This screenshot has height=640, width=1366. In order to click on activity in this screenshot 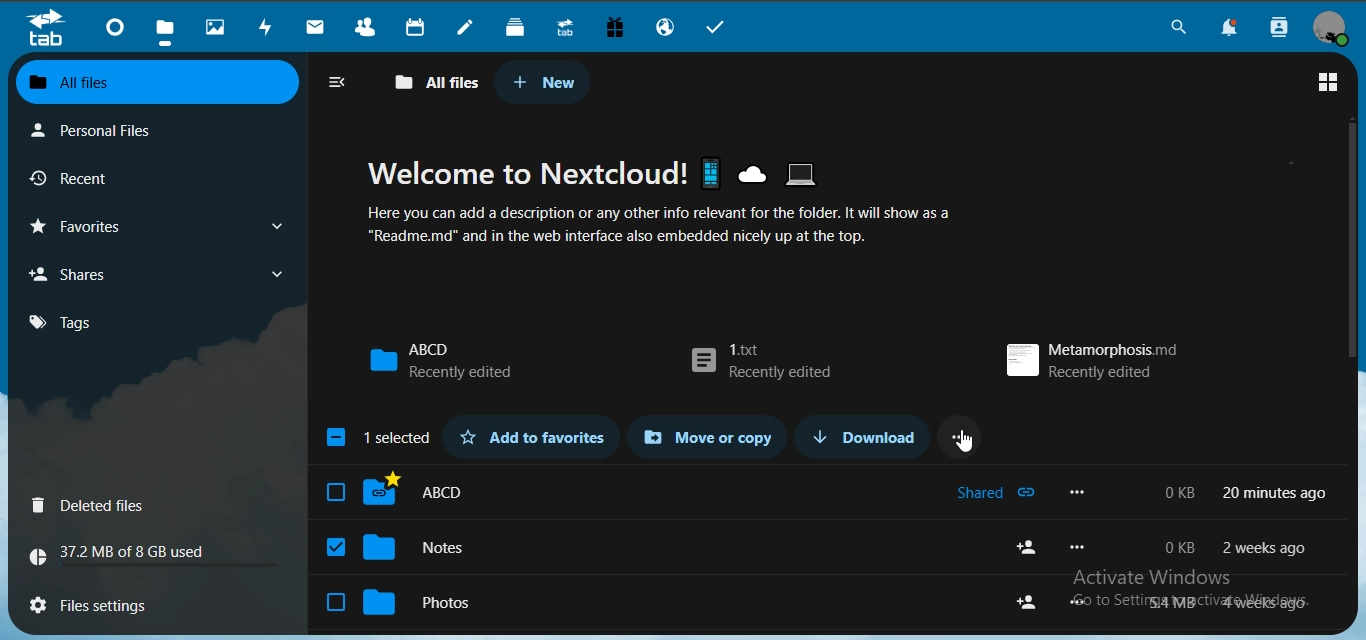, I will do `click(270, 27)`.